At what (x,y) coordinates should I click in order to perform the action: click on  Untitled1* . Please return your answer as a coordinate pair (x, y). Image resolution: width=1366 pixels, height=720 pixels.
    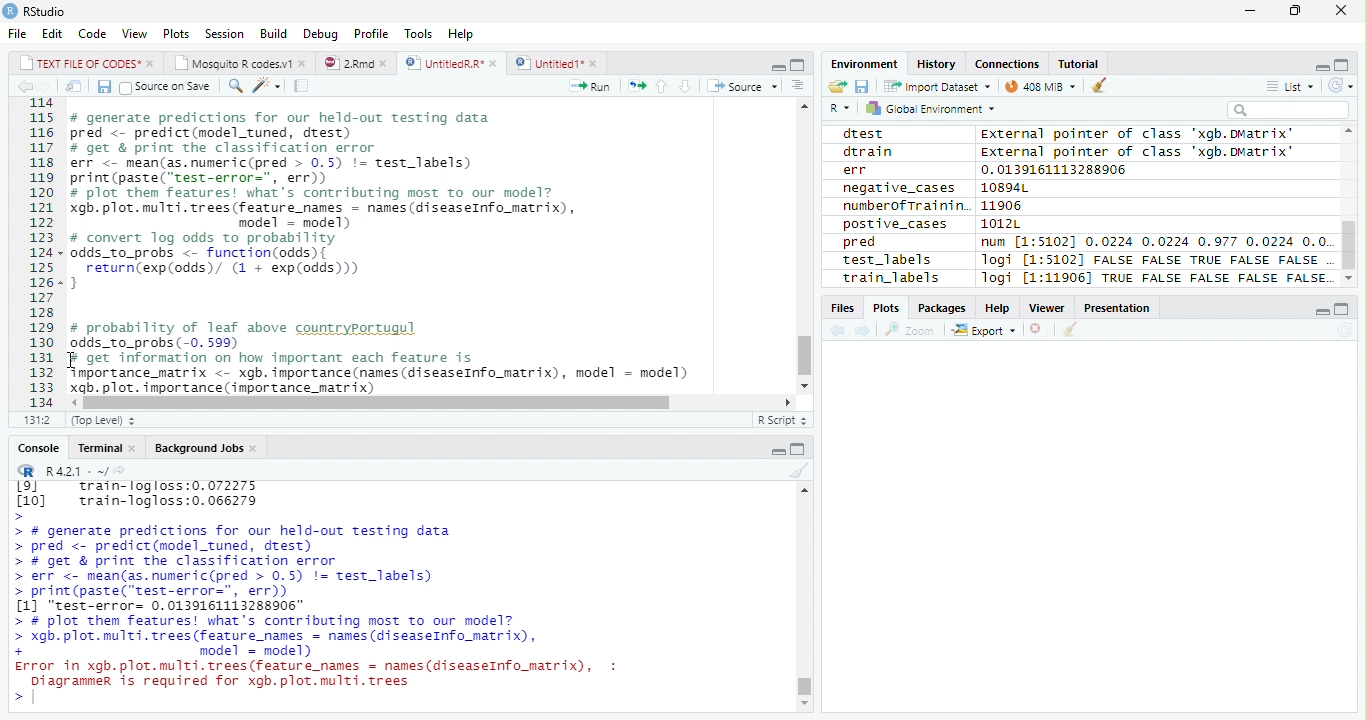
    Looking at the image, I should click on (557, 62).